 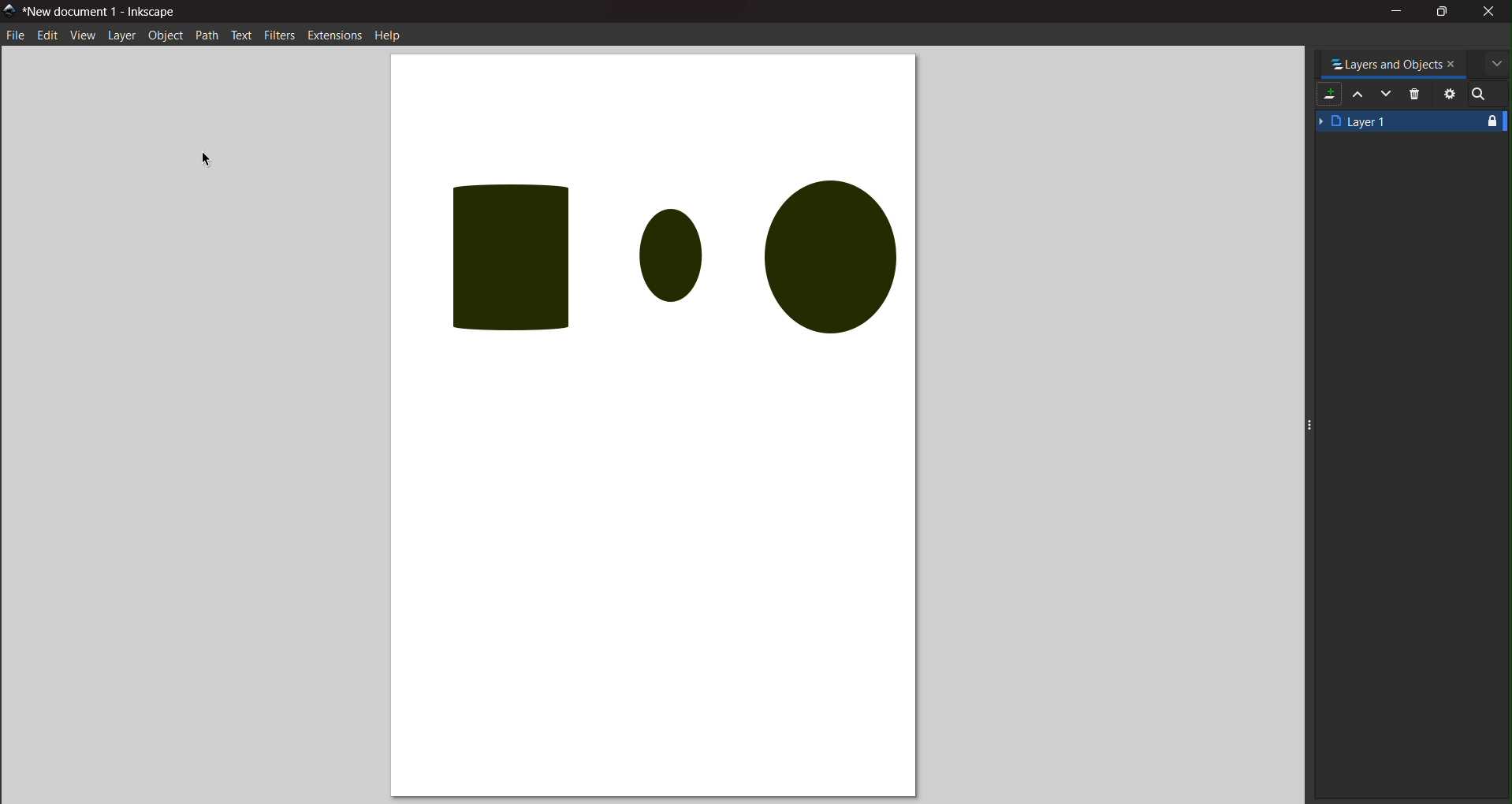 I want to click on minimize, so click(x=1397, y=13).